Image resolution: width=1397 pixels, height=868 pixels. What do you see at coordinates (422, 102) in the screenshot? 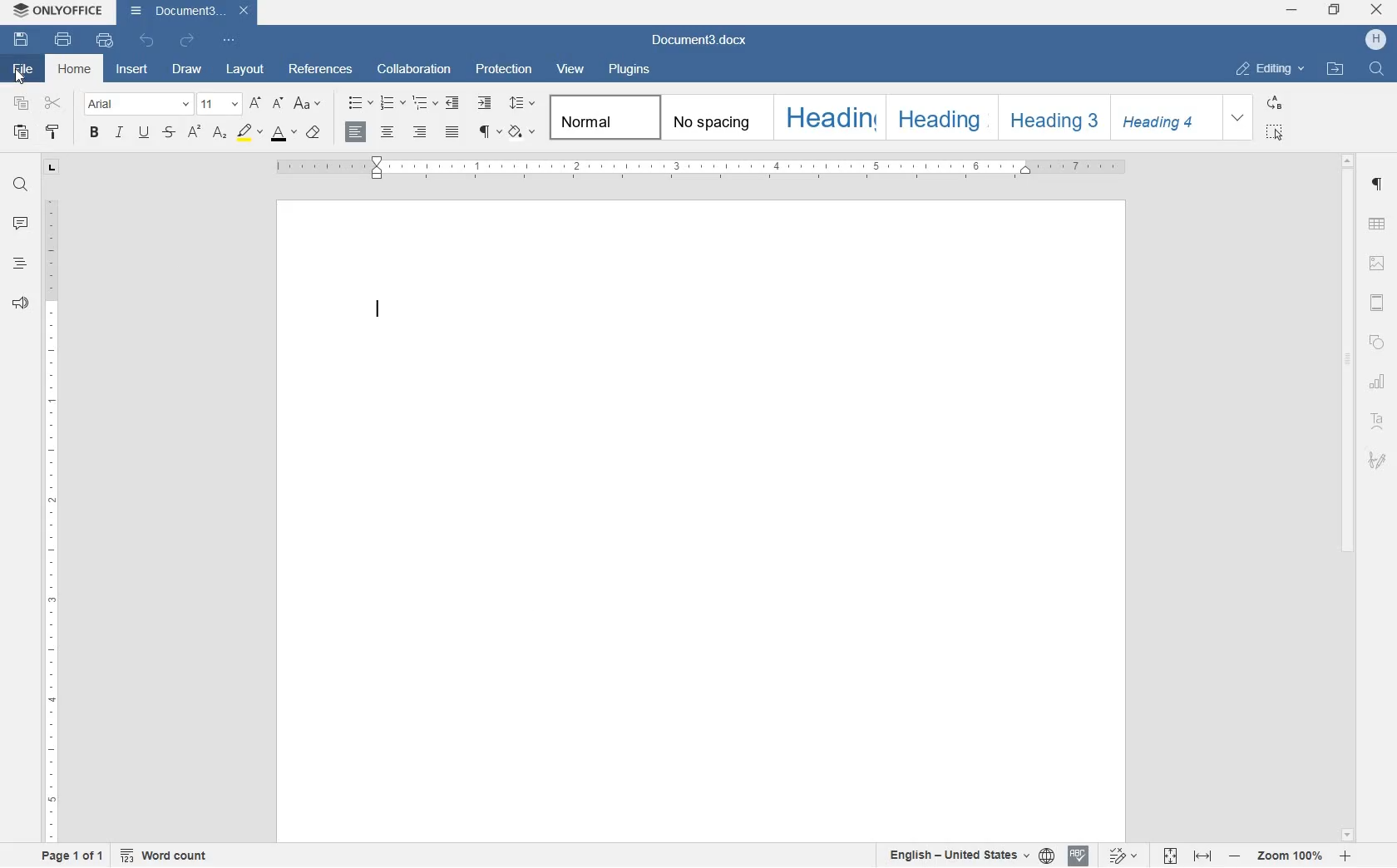
I see `multilevel list` at bounding box center [422, 102].